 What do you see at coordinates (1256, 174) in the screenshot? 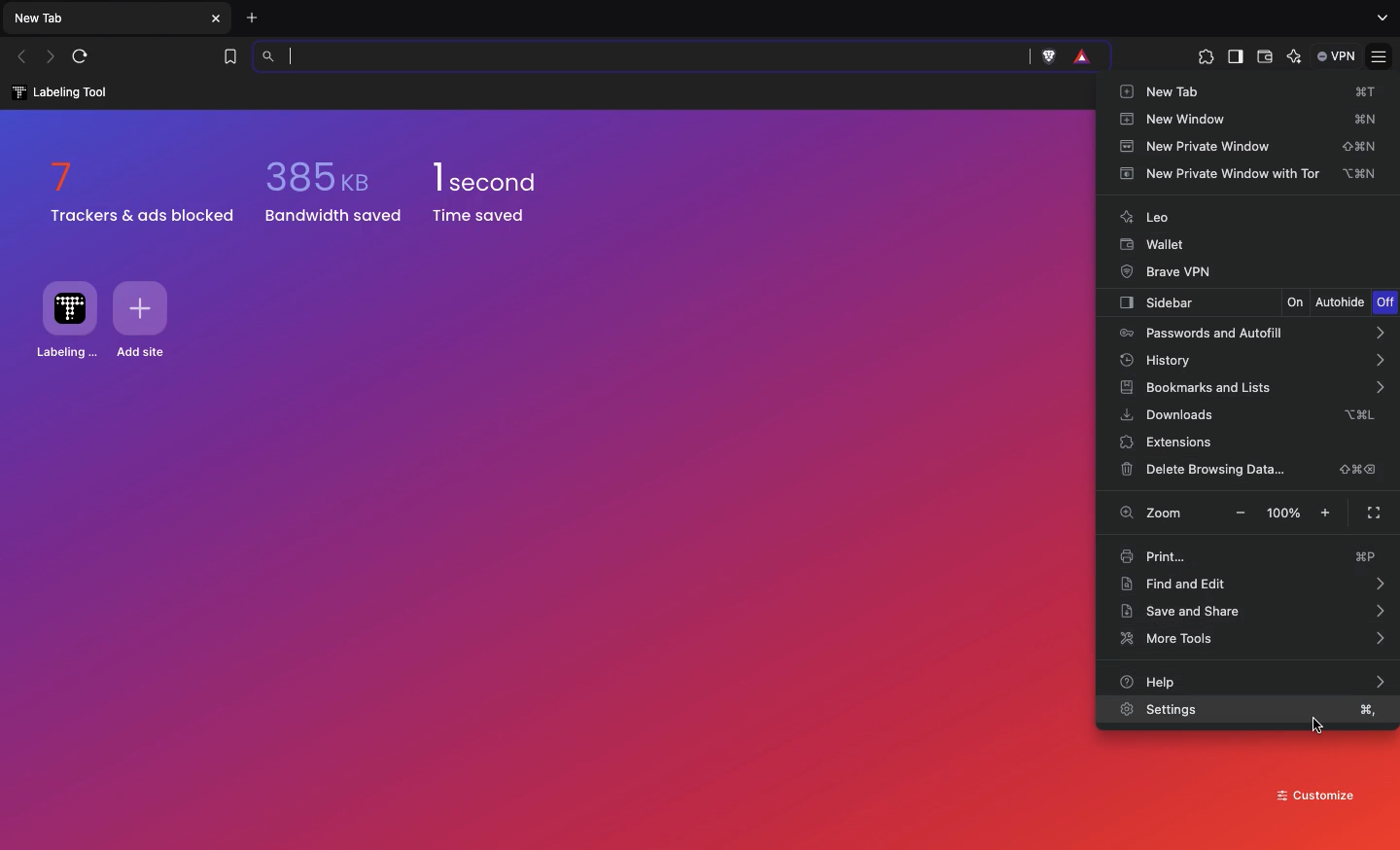
I see `New private window with Tor` at bounding box center [1256, 174].